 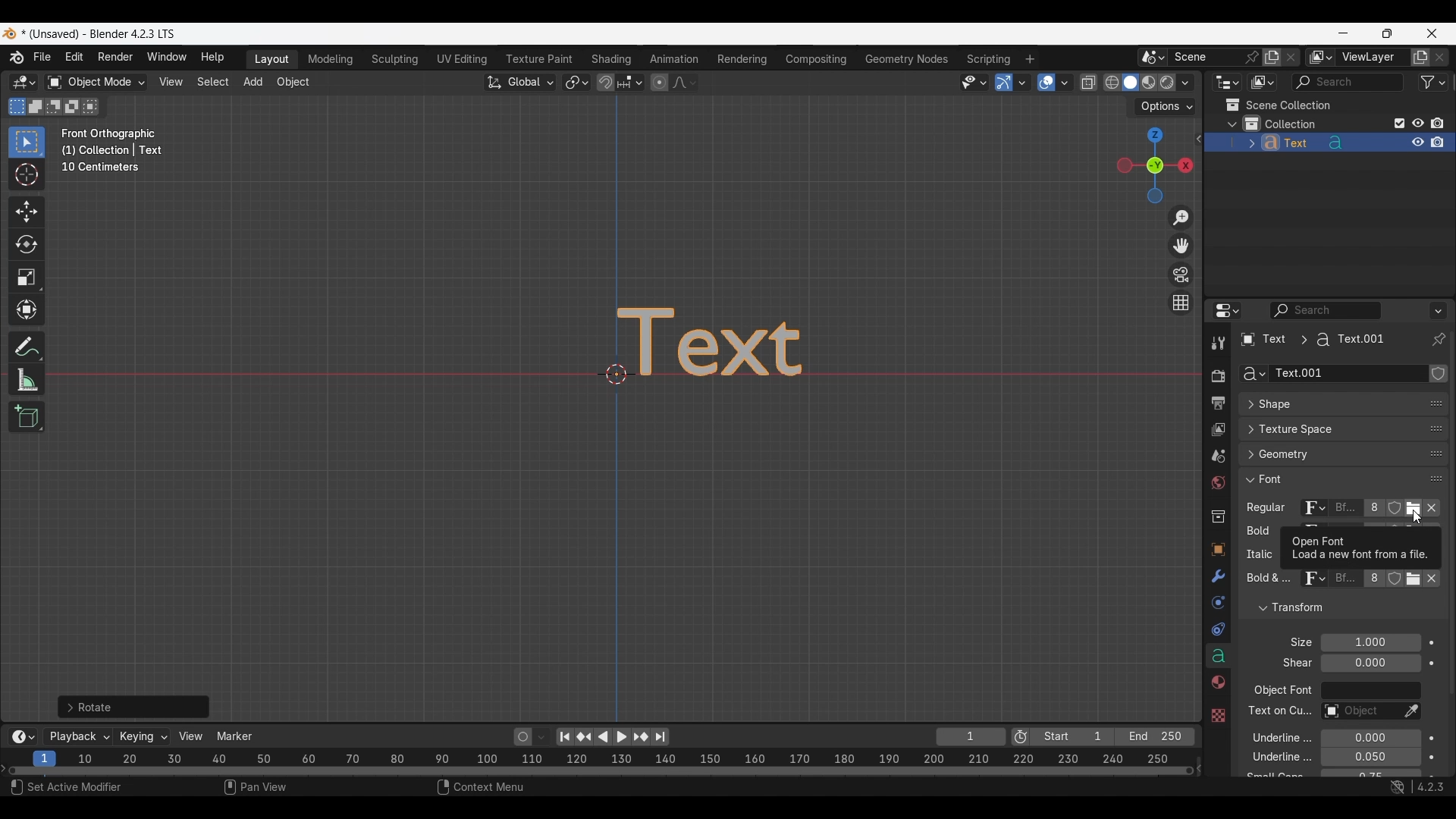 What do you see at coordinates (1440, 57) in the screenshot?
I see `Remove view layer` at bounding box center [1440, 57].